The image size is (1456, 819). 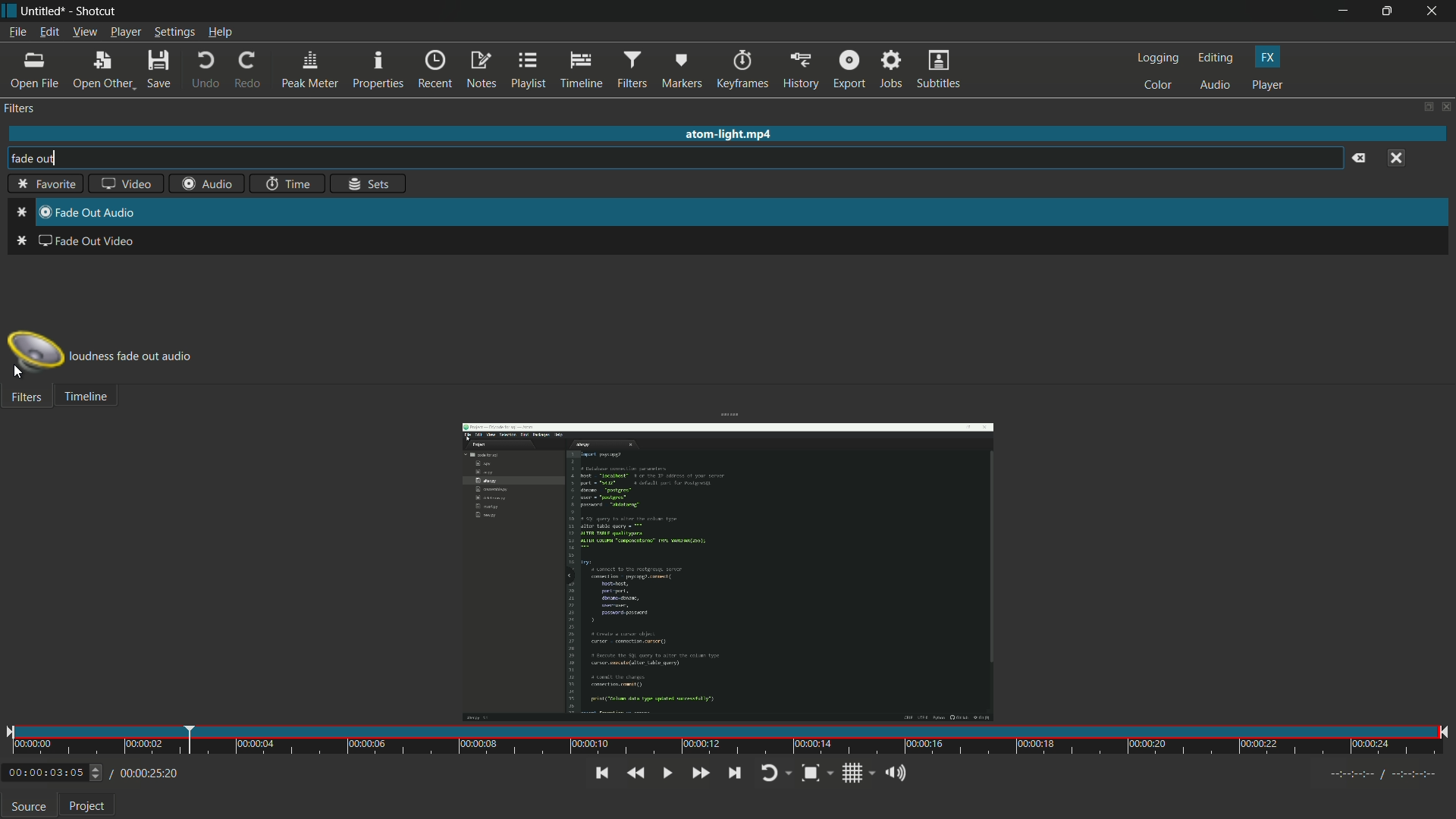 What do you see at coordinates (44, 773) in the screenshot?
I see `current time` at bounding box center [44, 773].